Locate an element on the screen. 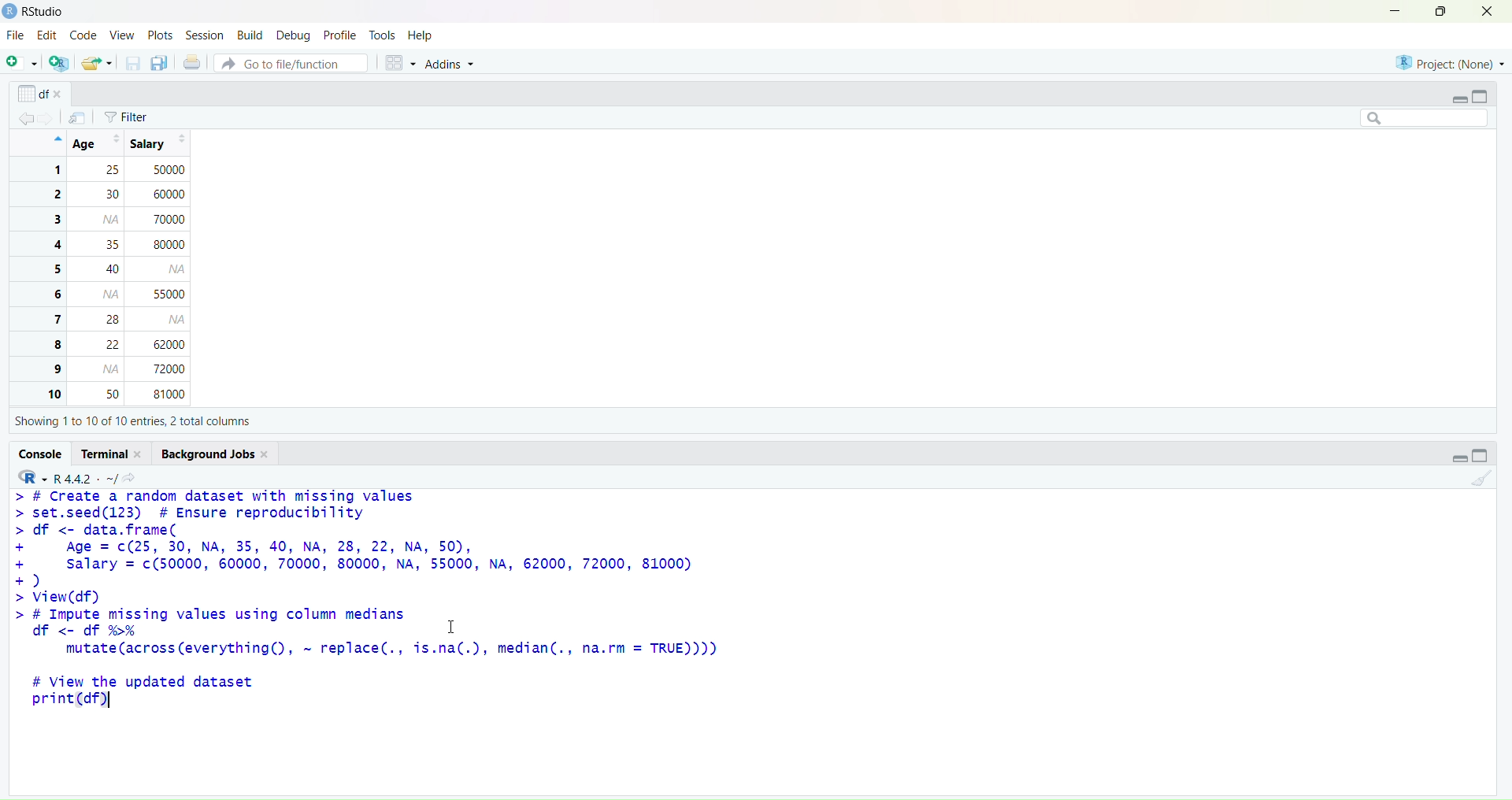 Image resolution: width=1512 pixels, height=800 pixels. minimize is located at coordinates (1390, 10).